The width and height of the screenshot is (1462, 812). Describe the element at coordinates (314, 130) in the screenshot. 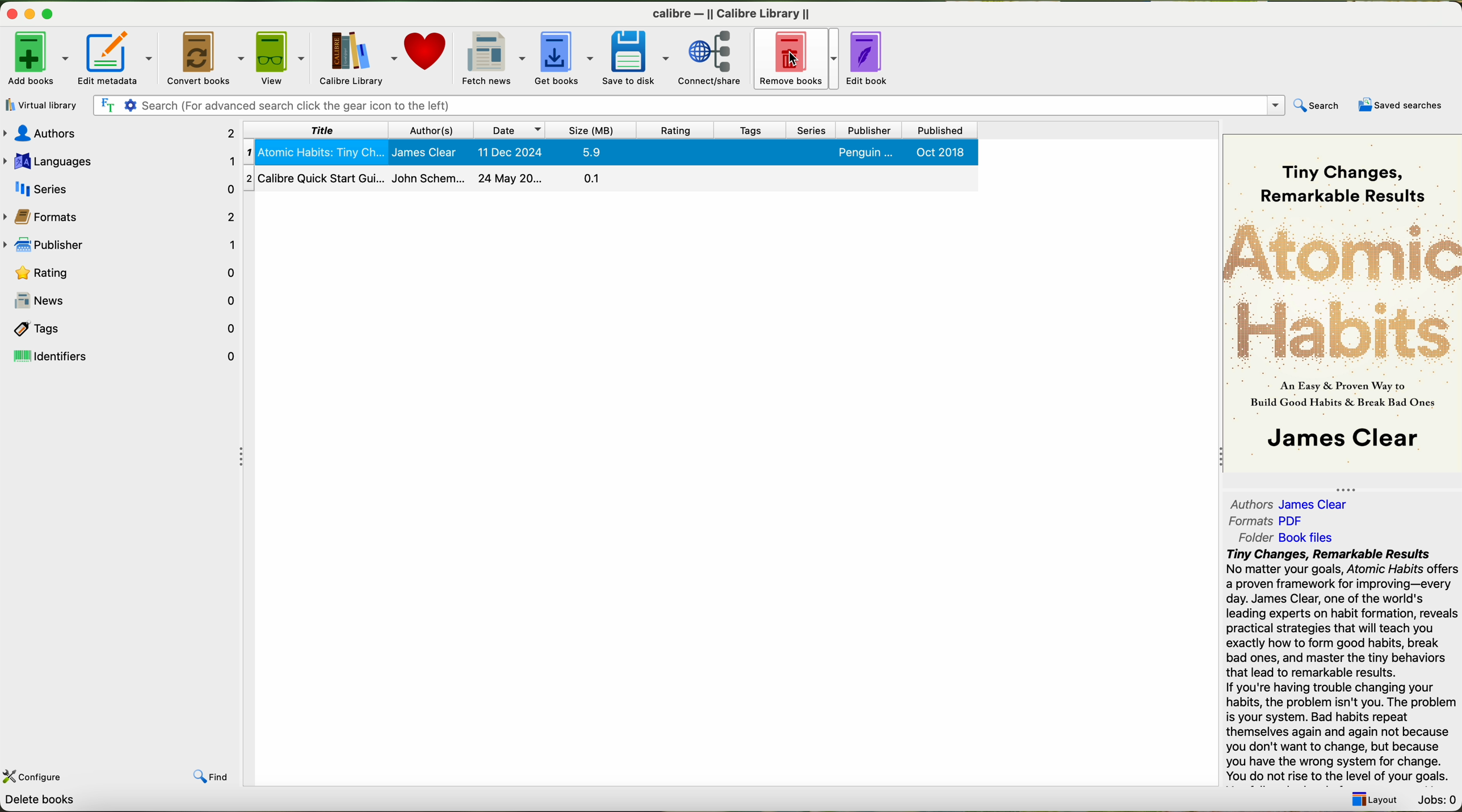

I see `title` at that location.